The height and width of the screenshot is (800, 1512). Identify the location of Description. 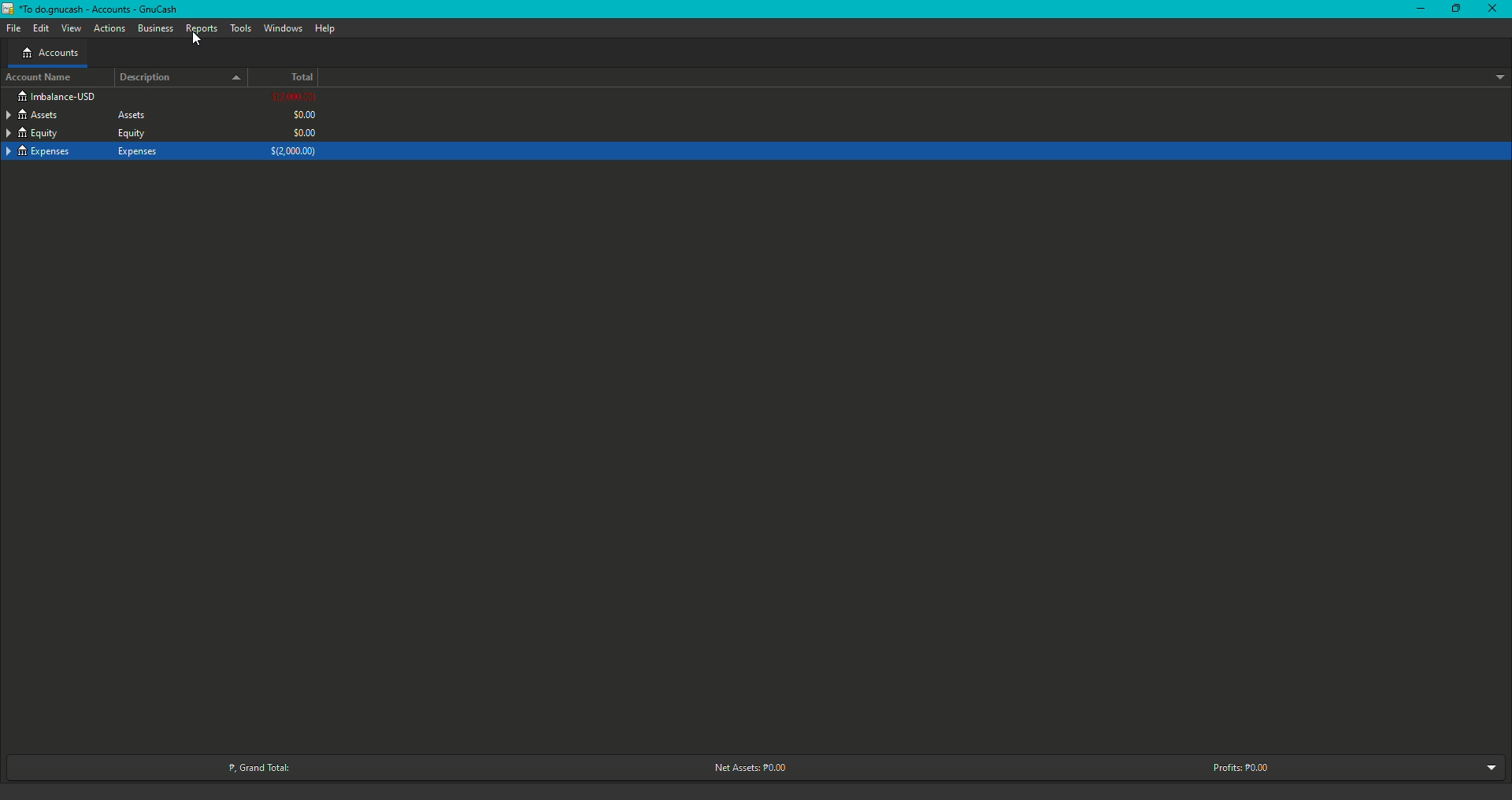
(145, 77).